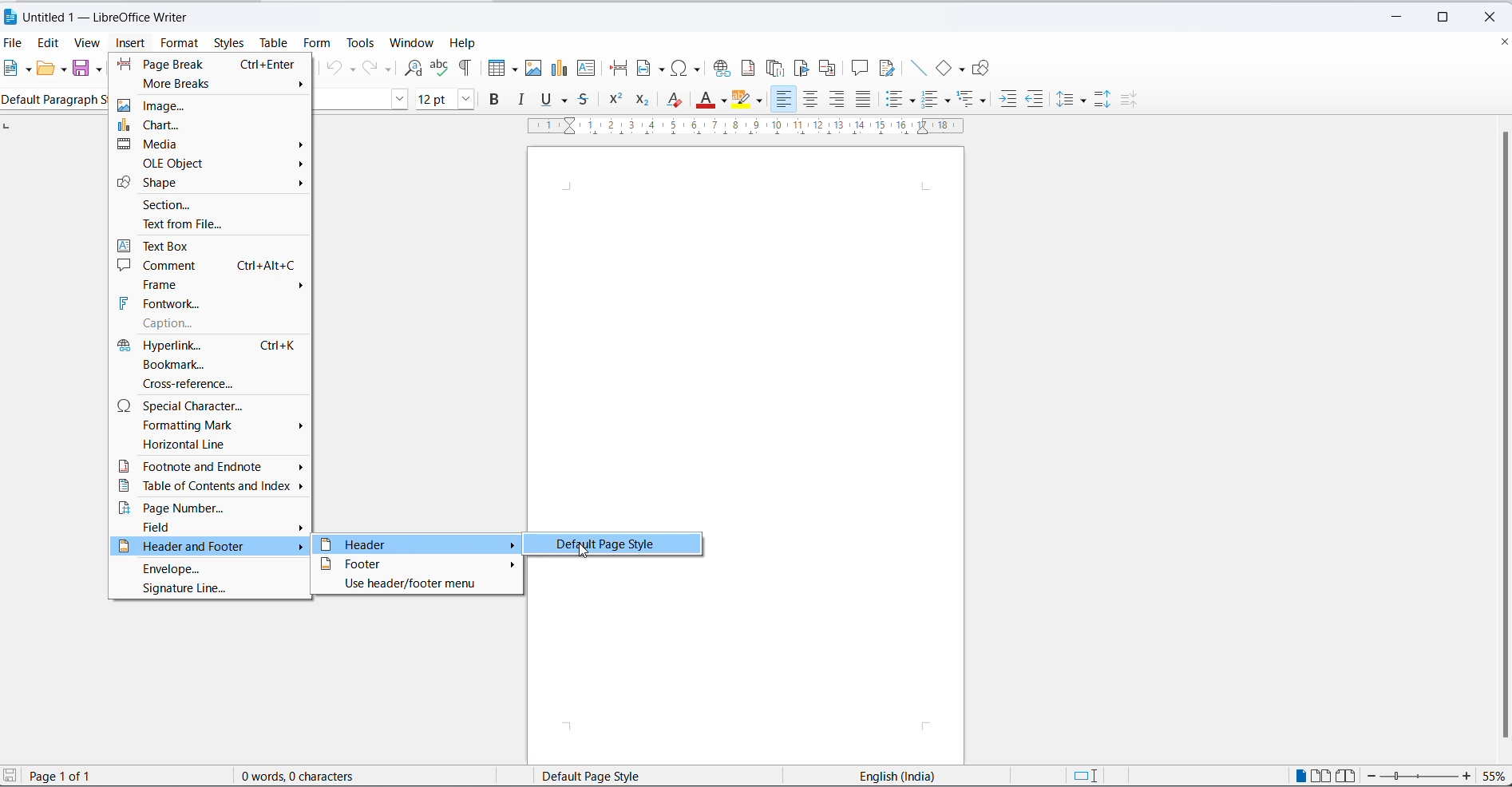 The image size is (1512, 787). Describe the element at coordinates (89, 42) in the screenshot. I see `view` at that location.